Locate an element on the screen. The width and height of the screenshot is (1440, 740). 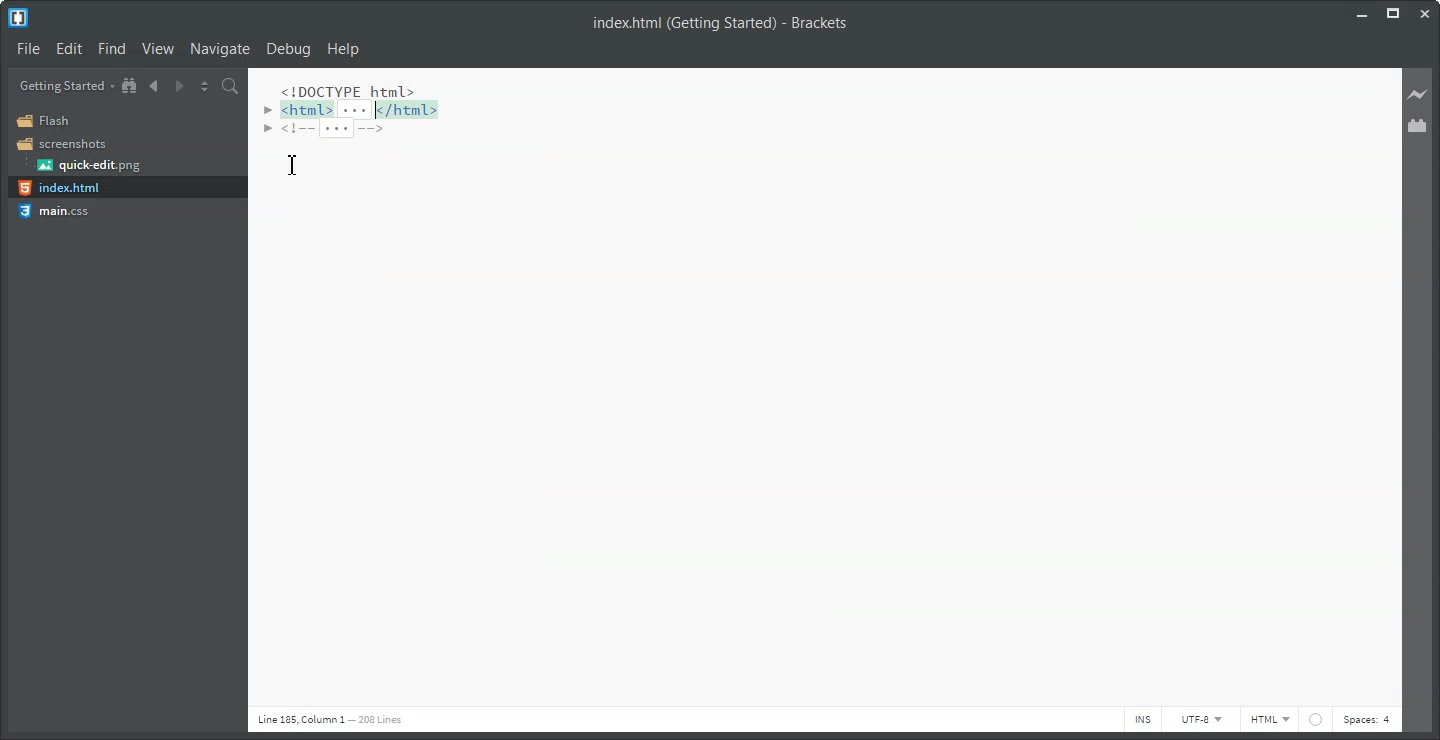
Debug is located at coordinates (288, 50).